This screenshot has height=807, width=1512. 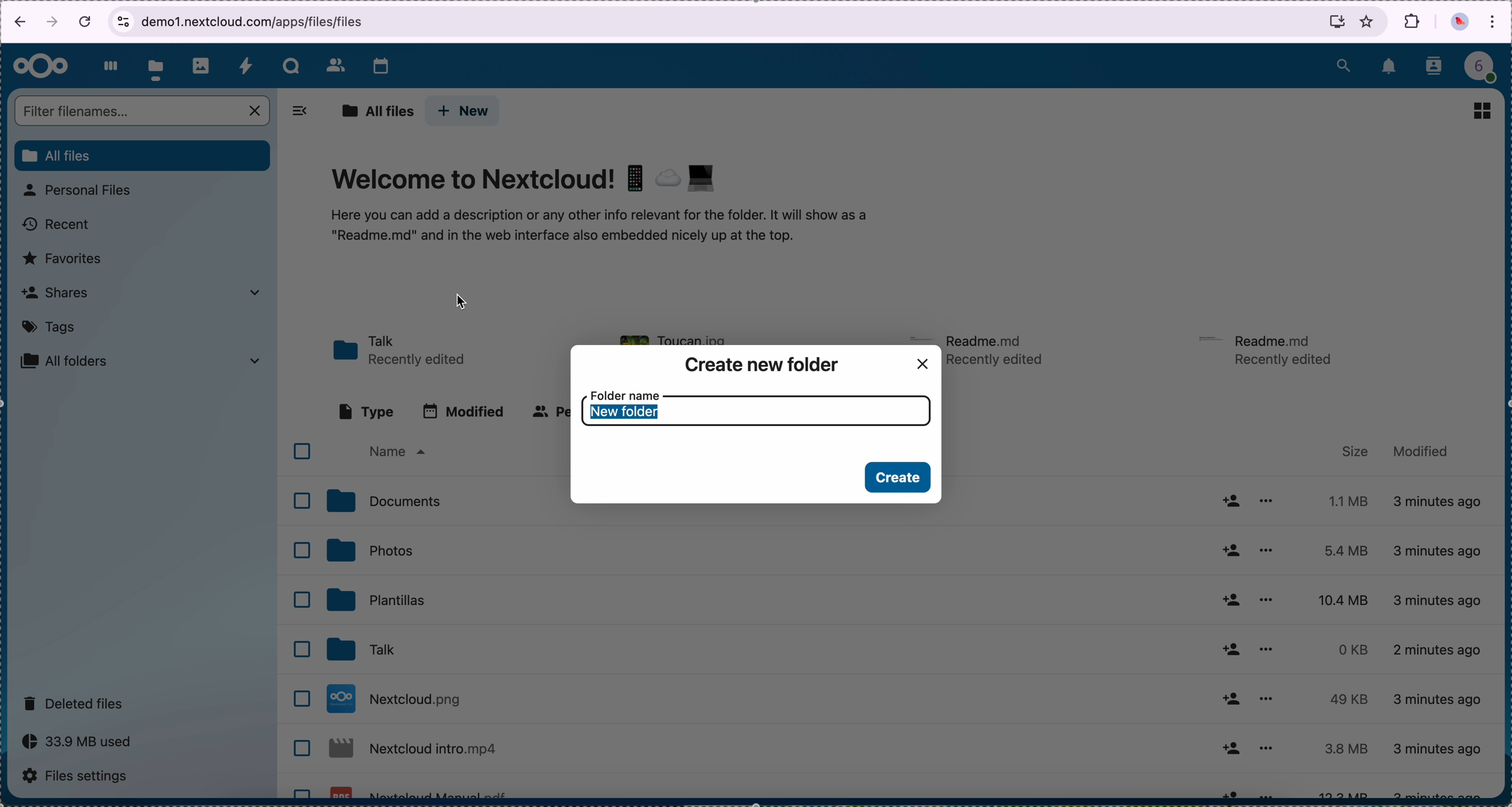 I want to click on files settings, so click(x=81, y=778).